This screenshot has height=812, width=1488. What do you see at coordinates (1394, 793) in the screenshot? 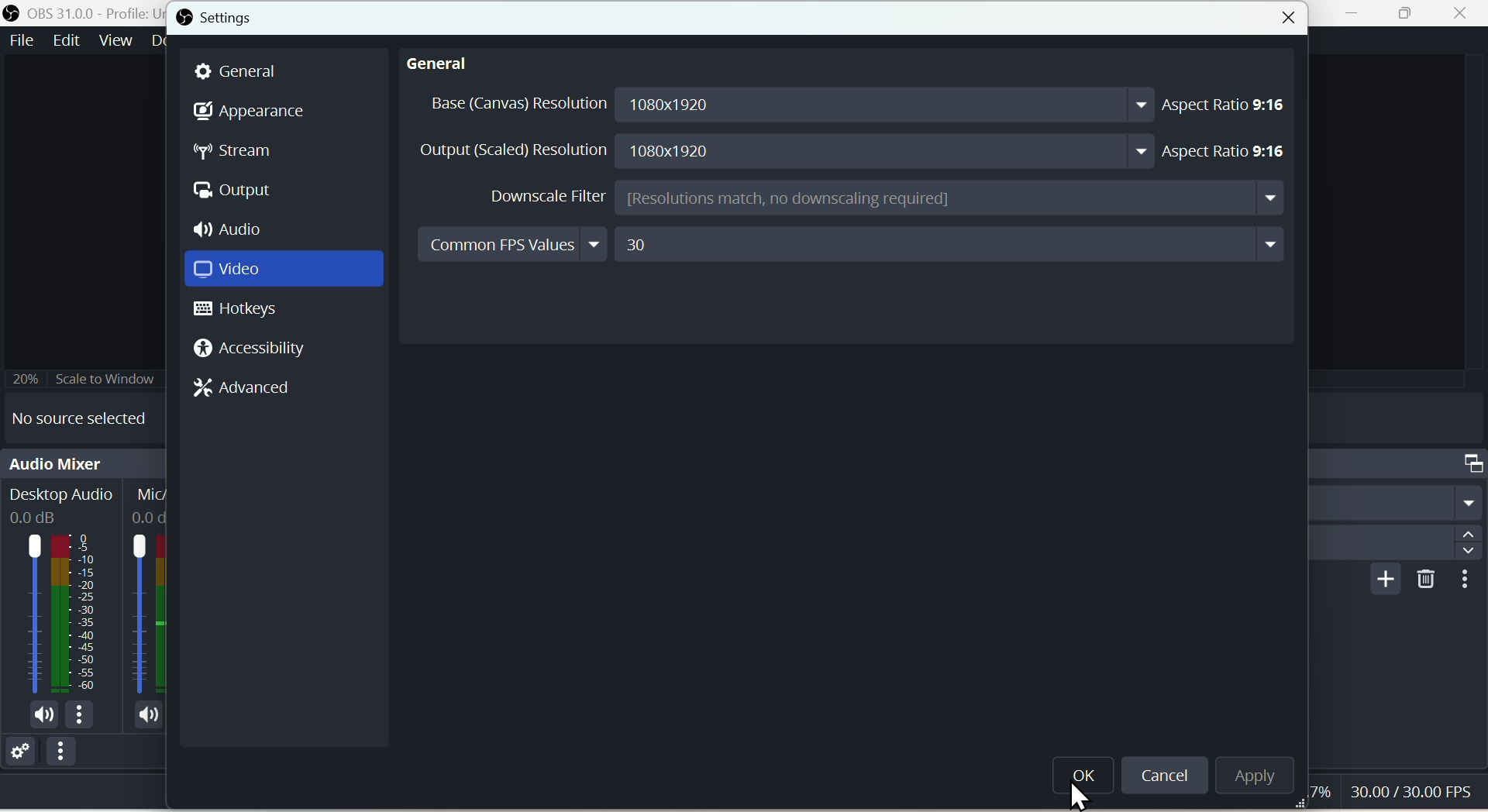
I see `cursor` at bounding box center [1394, 793].